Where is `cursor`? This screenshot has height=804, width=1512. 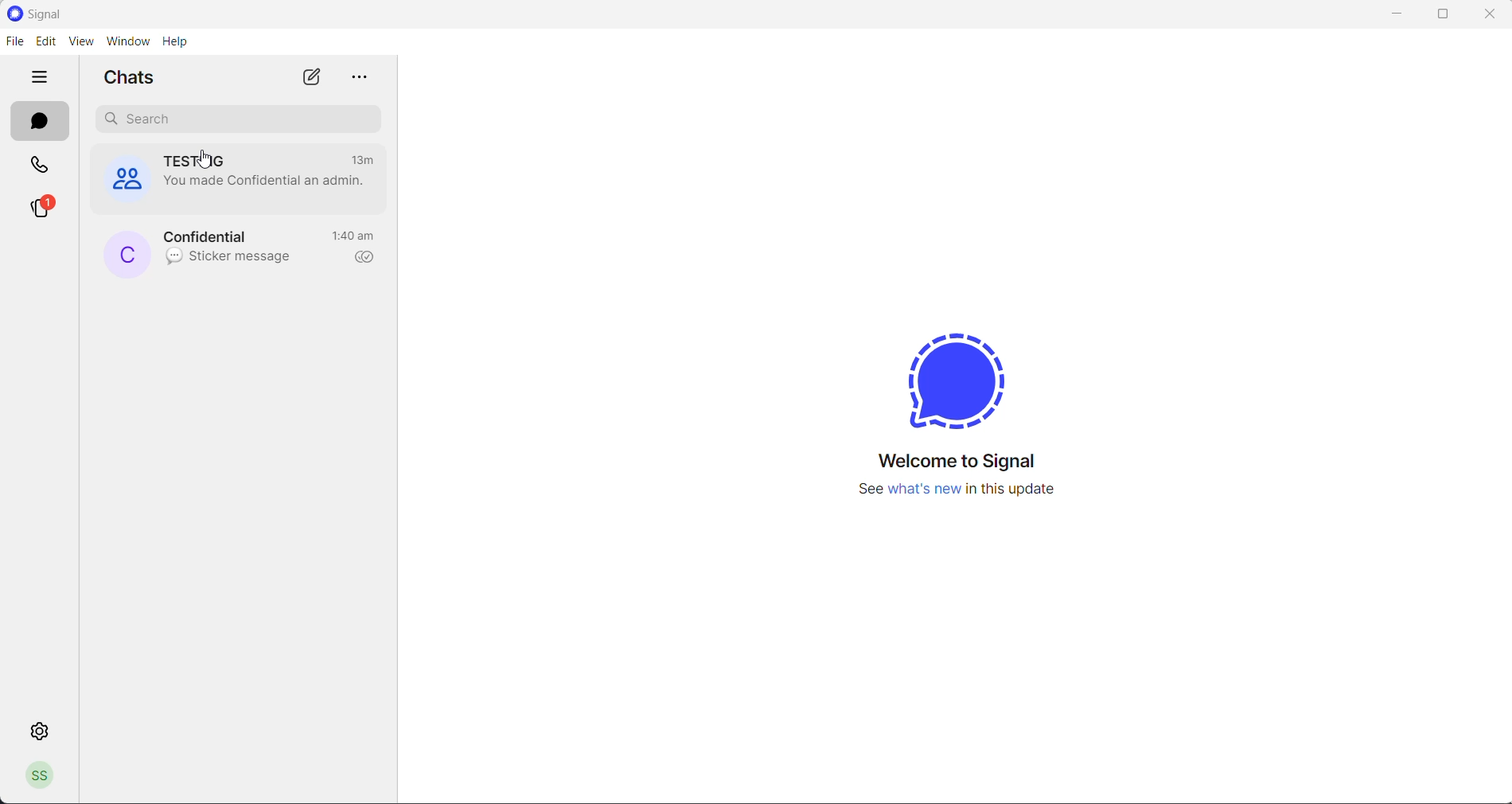
cursor is located at coordinates (208, 160).